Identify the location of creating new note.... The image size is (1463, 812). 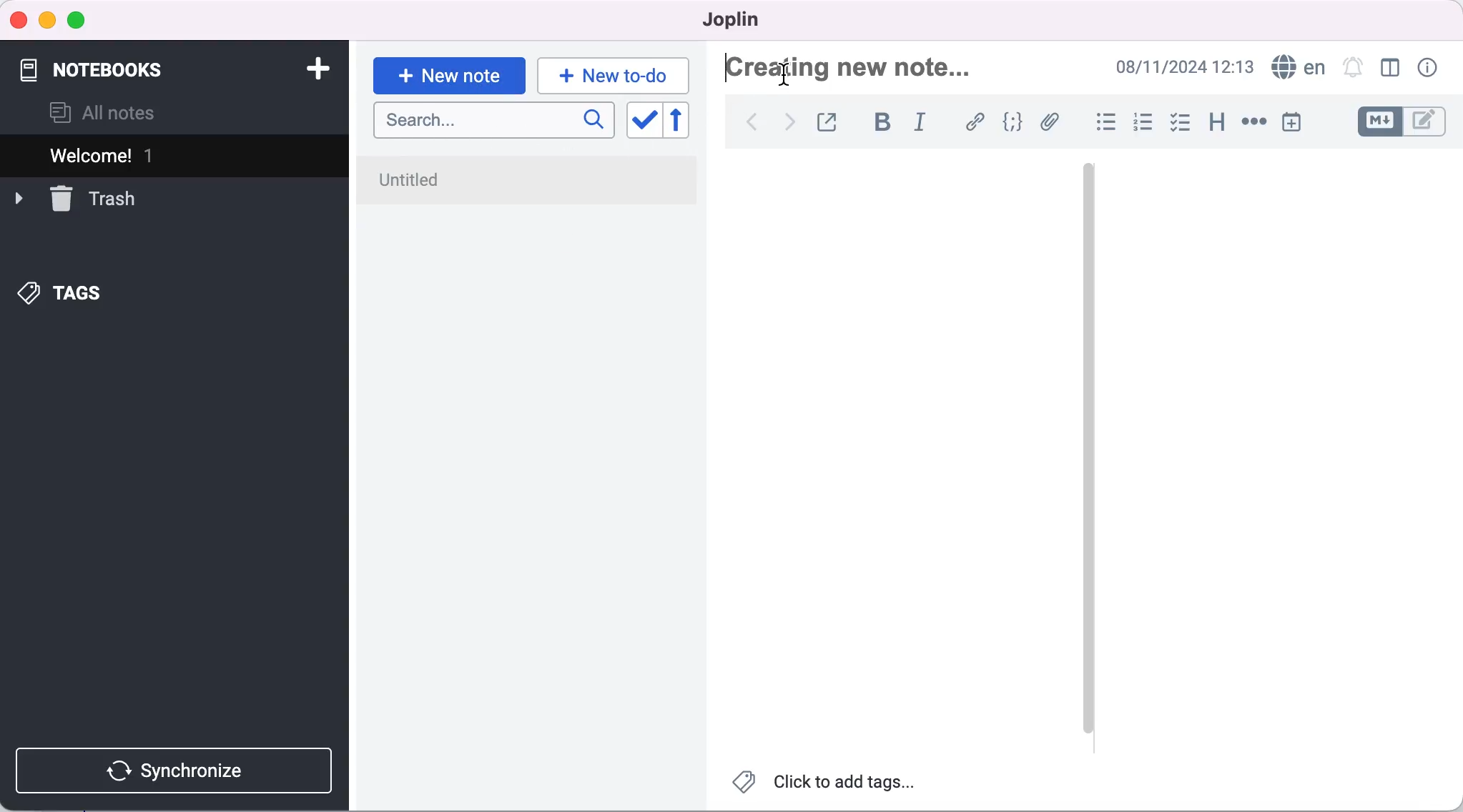
(855, 69).